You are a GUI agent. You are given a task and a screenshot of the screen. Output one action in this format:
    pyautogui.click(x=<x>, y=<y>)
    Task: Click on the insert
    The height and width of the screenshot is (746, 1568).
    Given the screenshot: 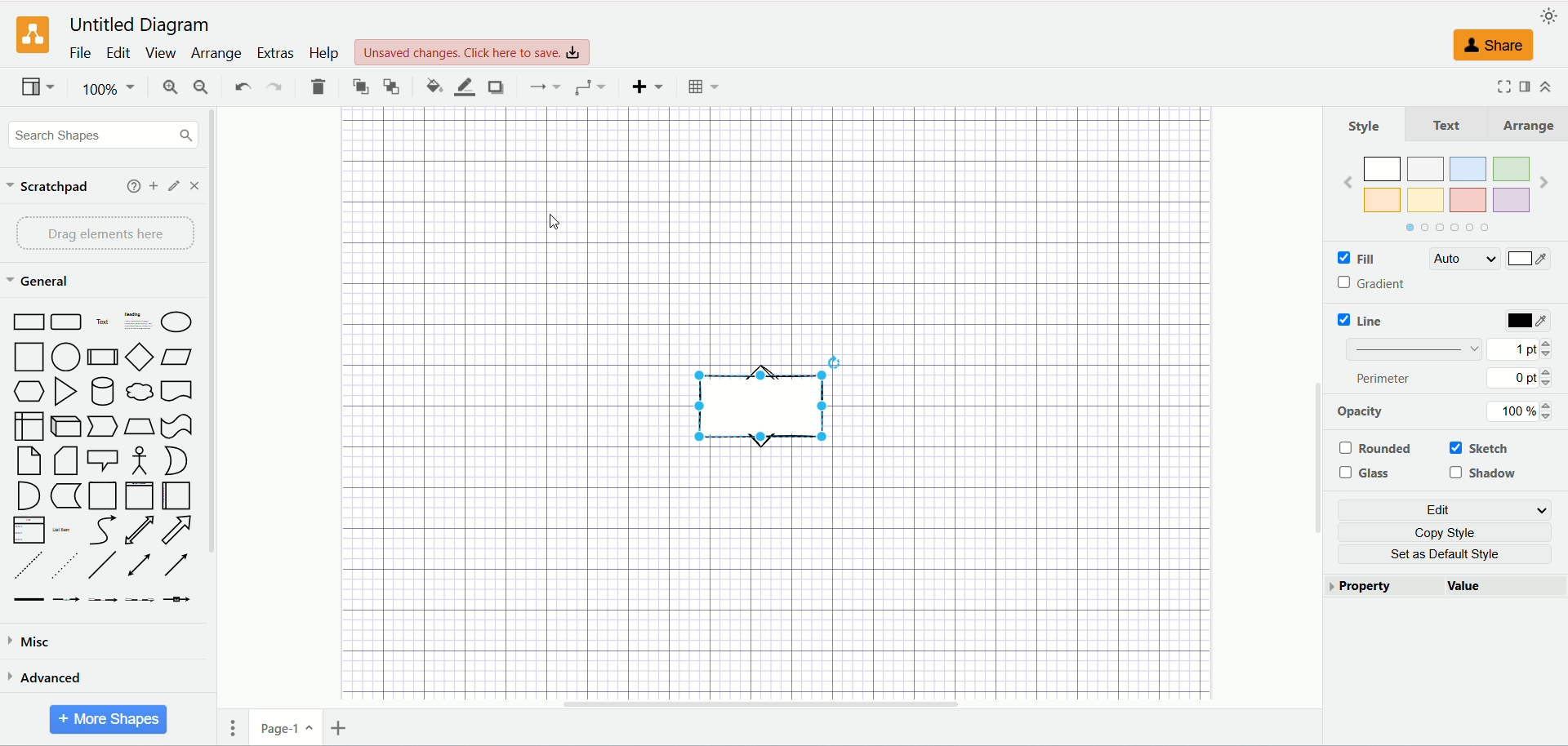 What is the action you would take?
    pyautogui.click(x=649, y=86)
    